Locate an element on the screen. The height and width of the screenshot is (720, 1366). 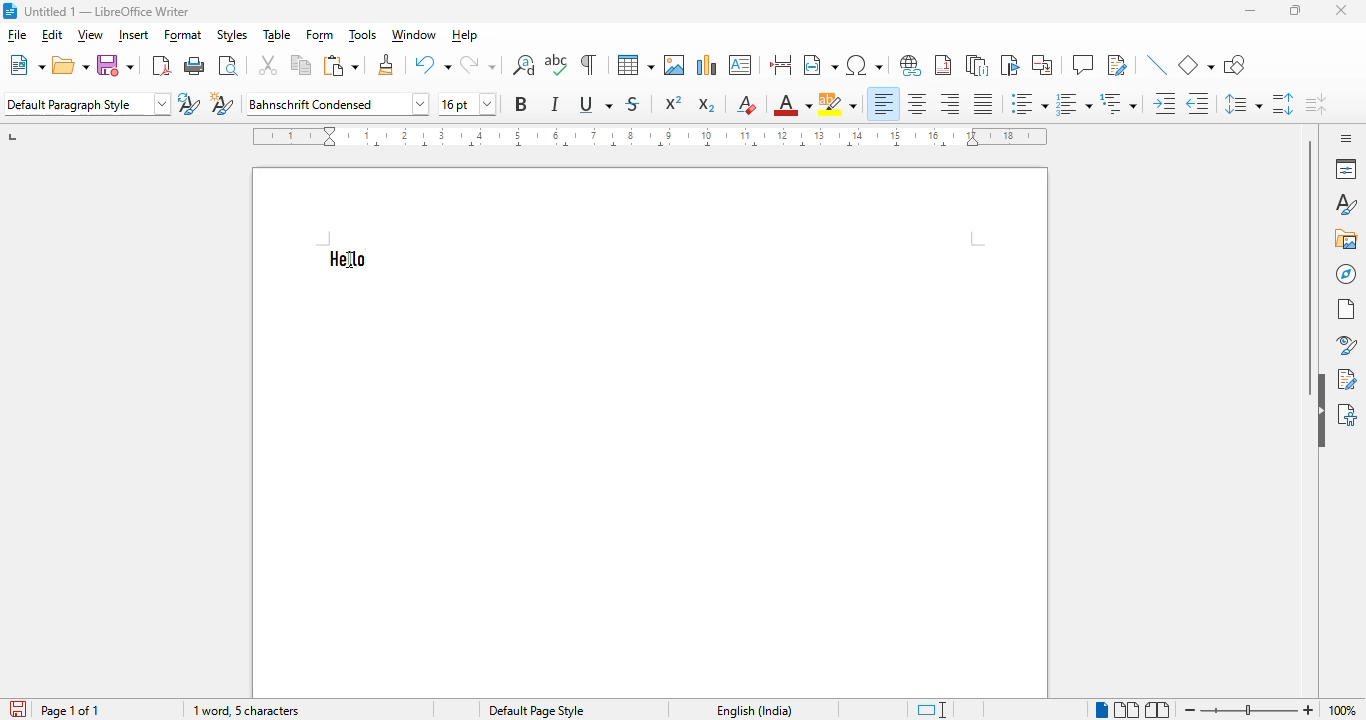
insert table is located at coordinates (636, 64).